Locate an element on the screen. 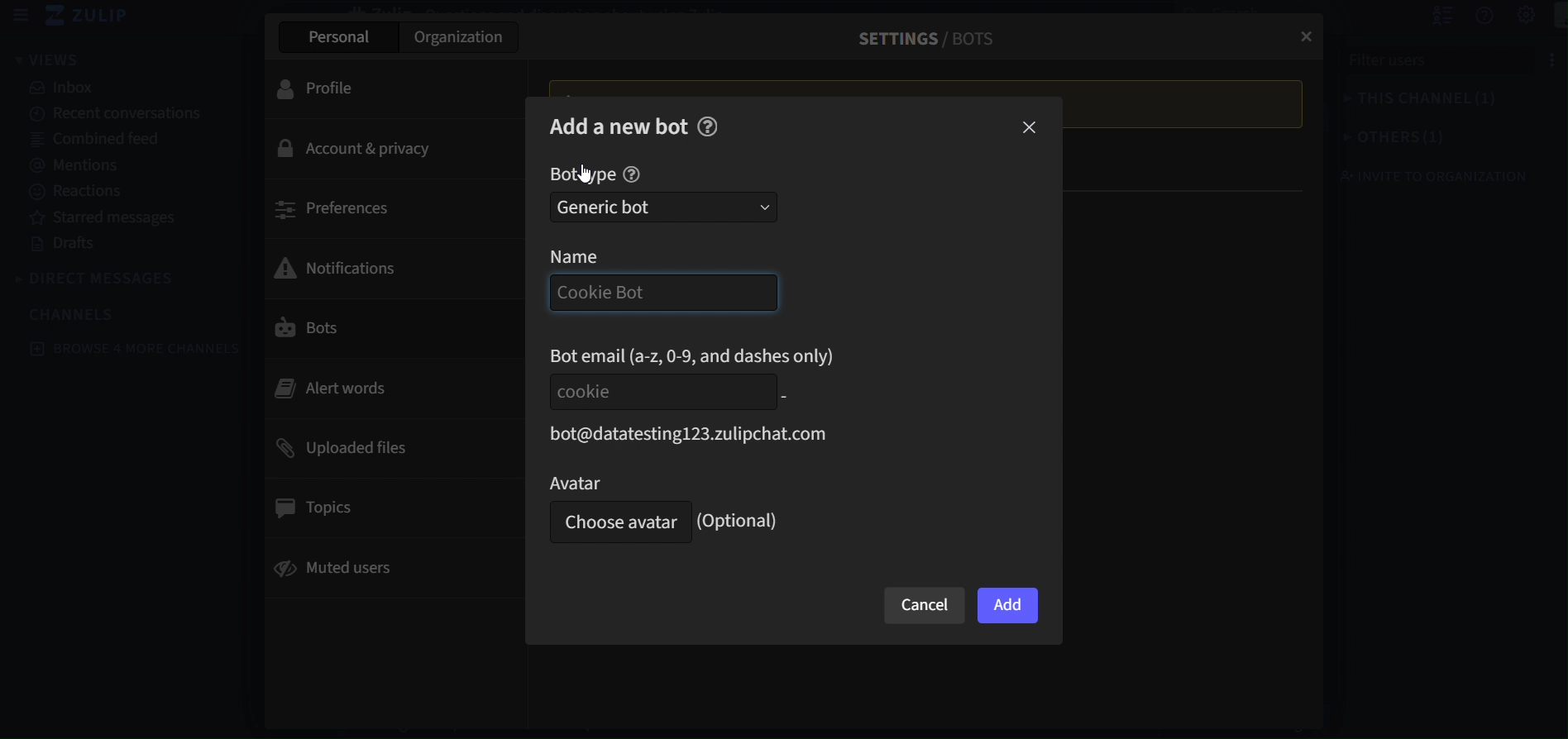 Image resolution: width=1568 pixels, height=739 pixels. hide user list is located at coordinates (1423, 16).